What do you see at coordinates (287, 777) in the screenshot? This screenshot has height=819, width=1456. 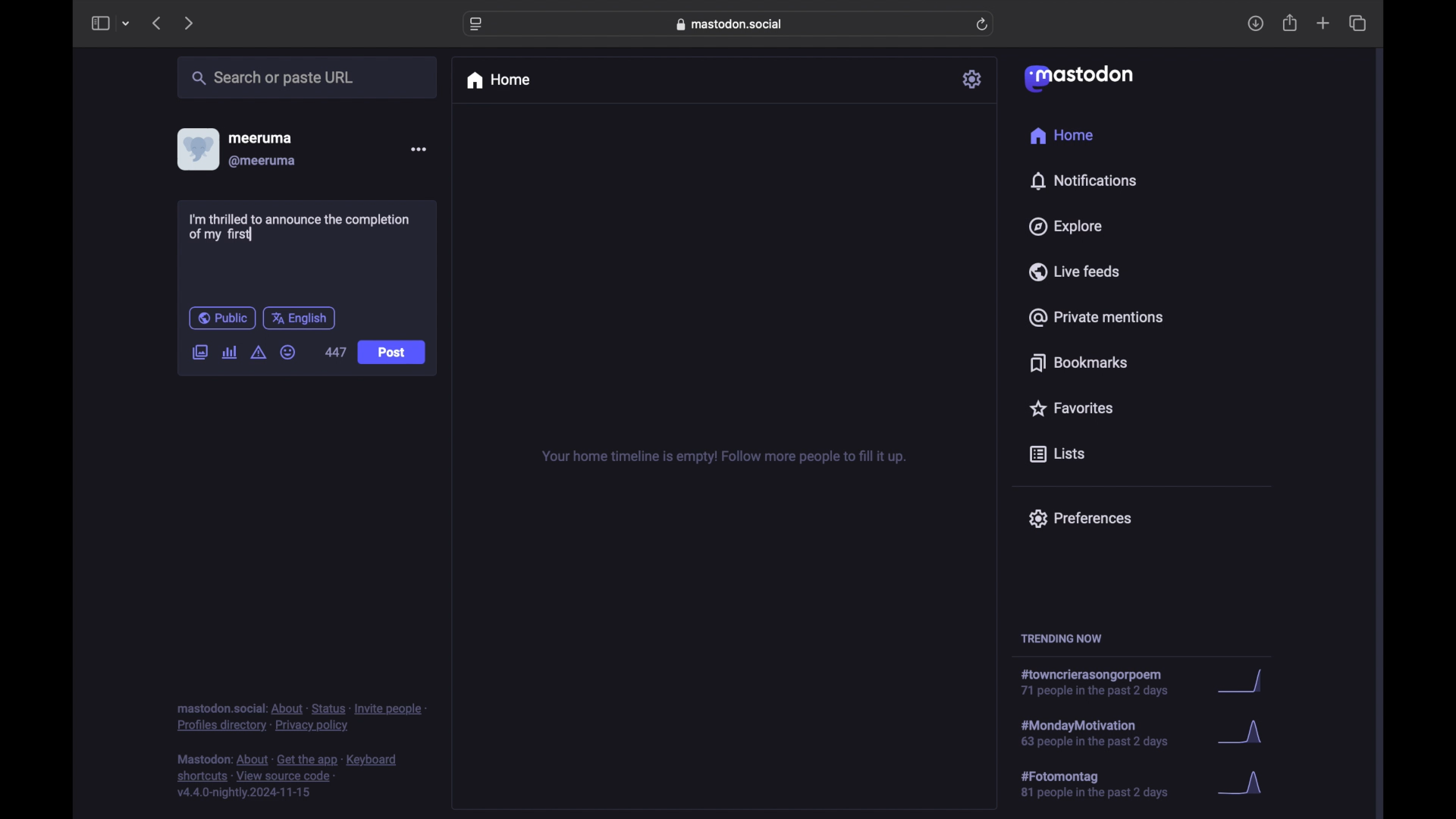 I see `footnote` at bounding box center [287, 777].